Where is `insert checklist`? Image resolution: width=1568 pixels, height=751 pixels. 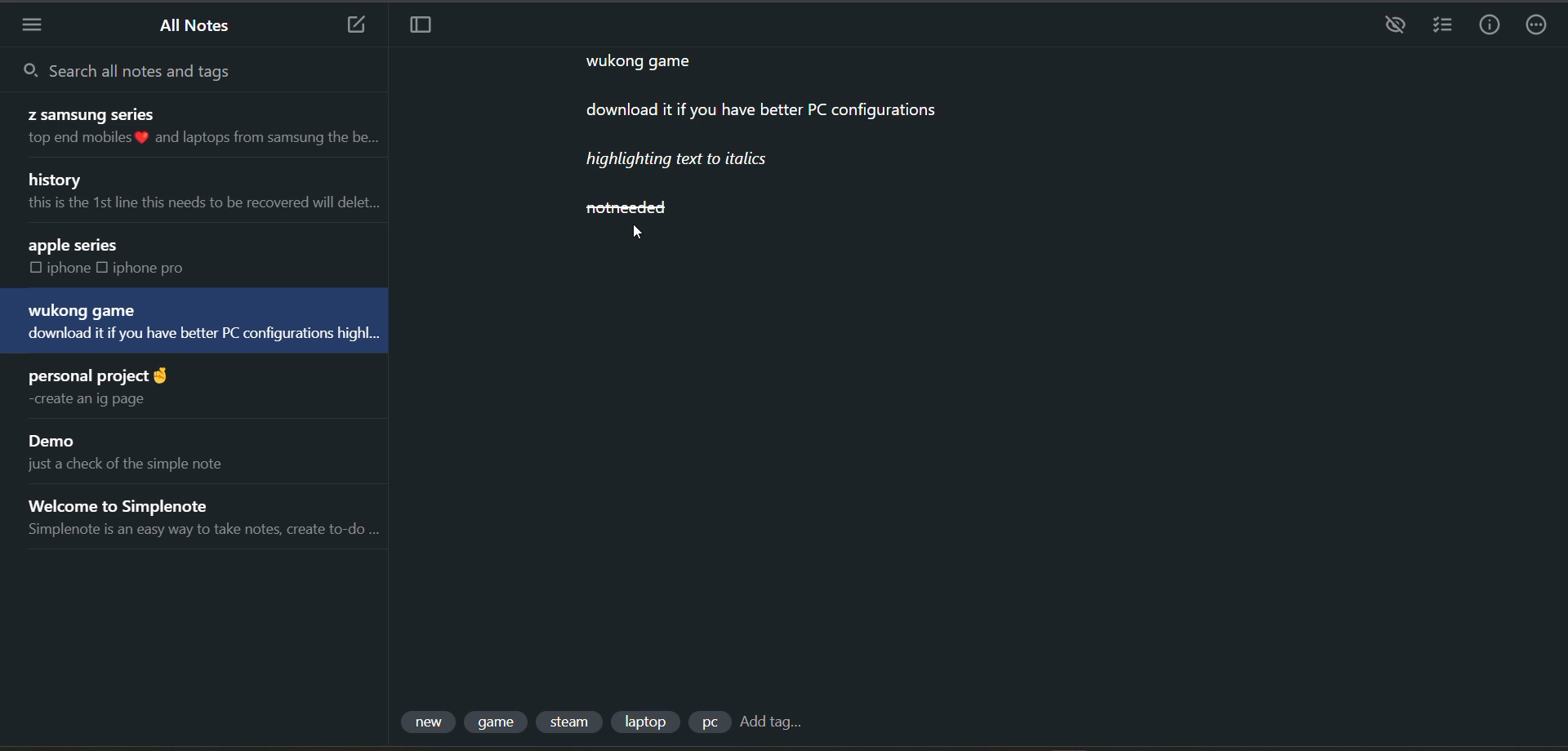 insert checklist is located at coordinates (1443, 28).